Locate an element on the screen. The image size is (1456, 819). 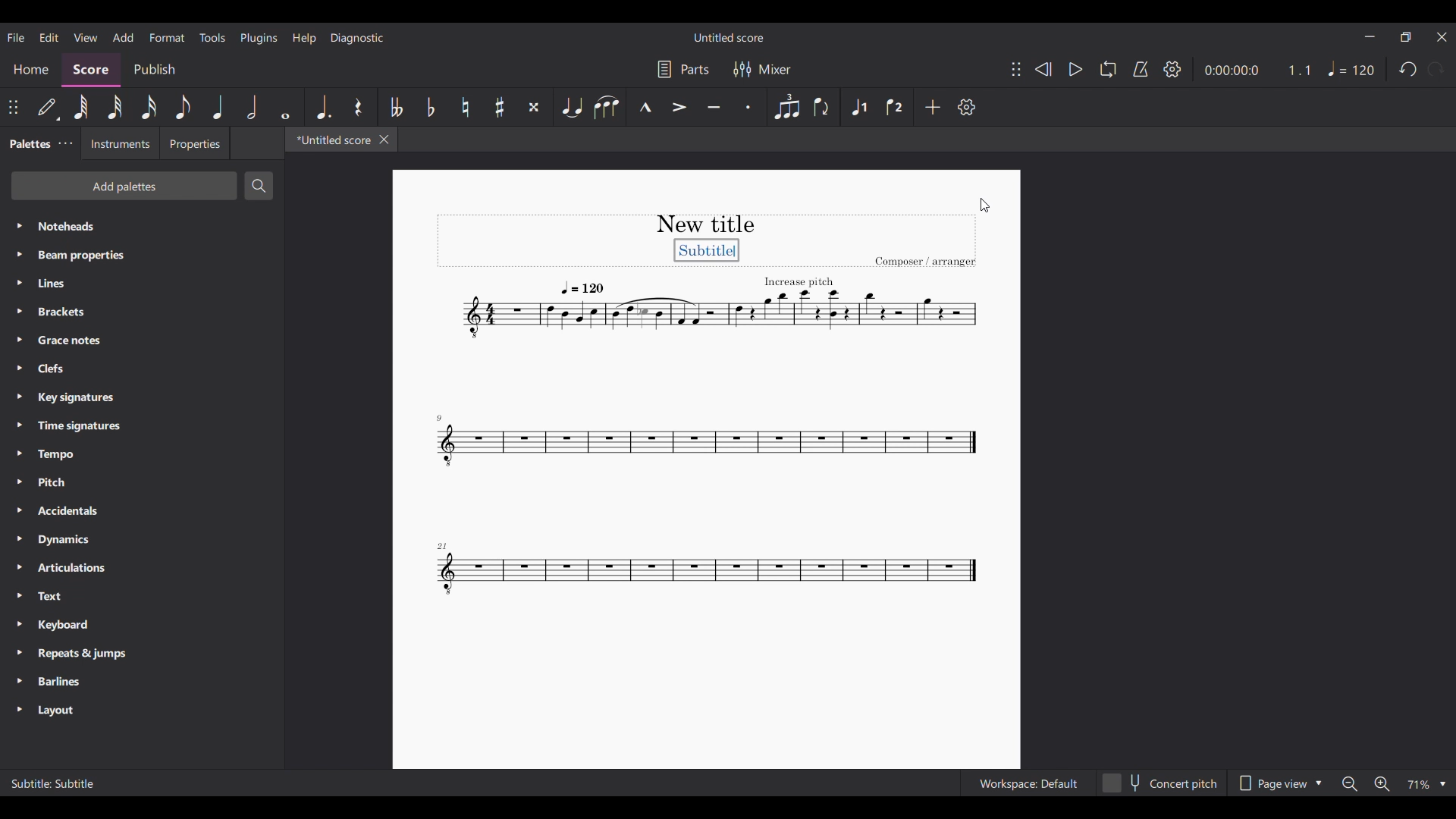
Toggle flat is located at coordinates (430, 106).